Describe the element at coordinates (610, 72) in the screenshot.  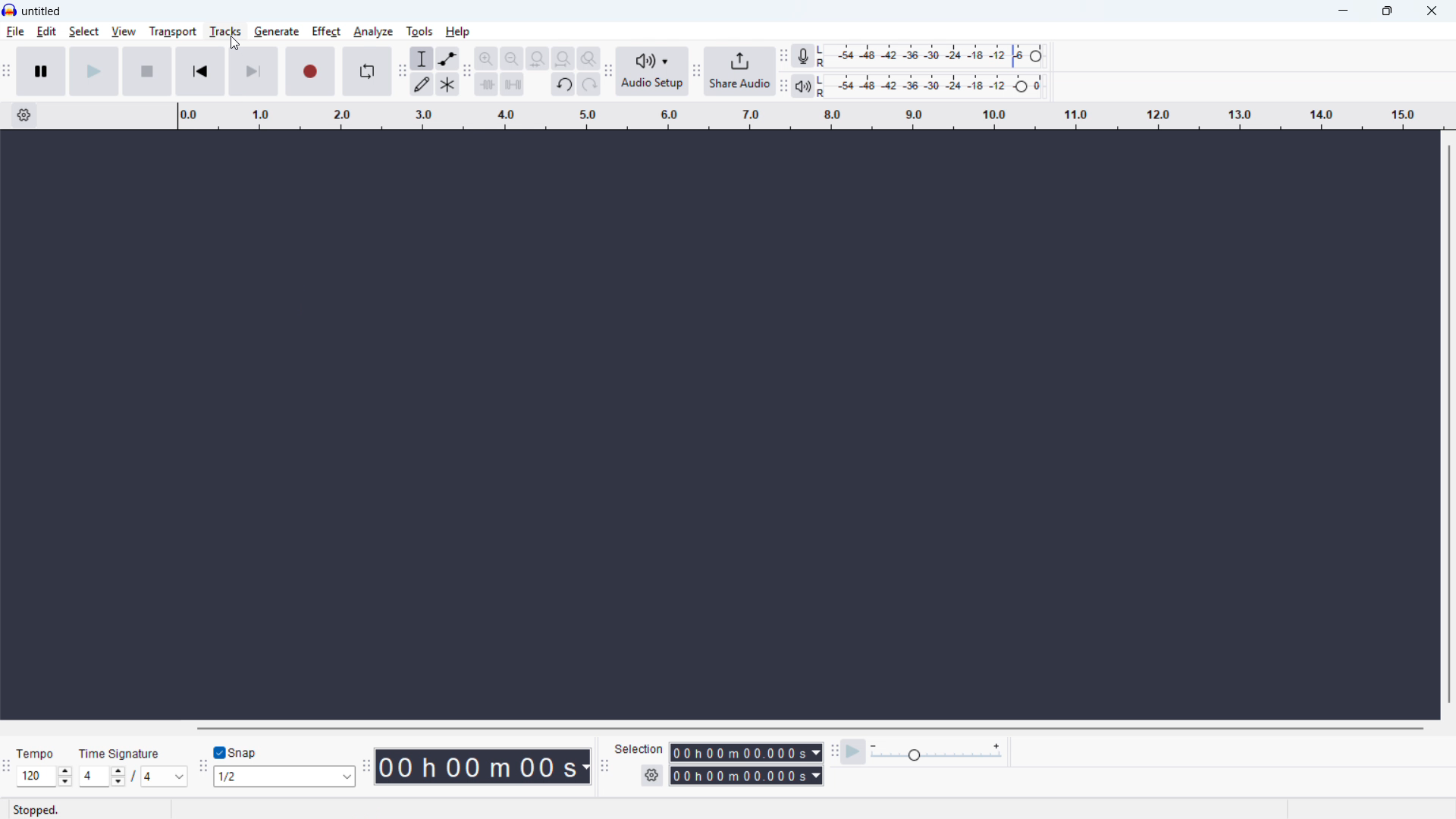
I see `Audio Set up toolbar` at that location.